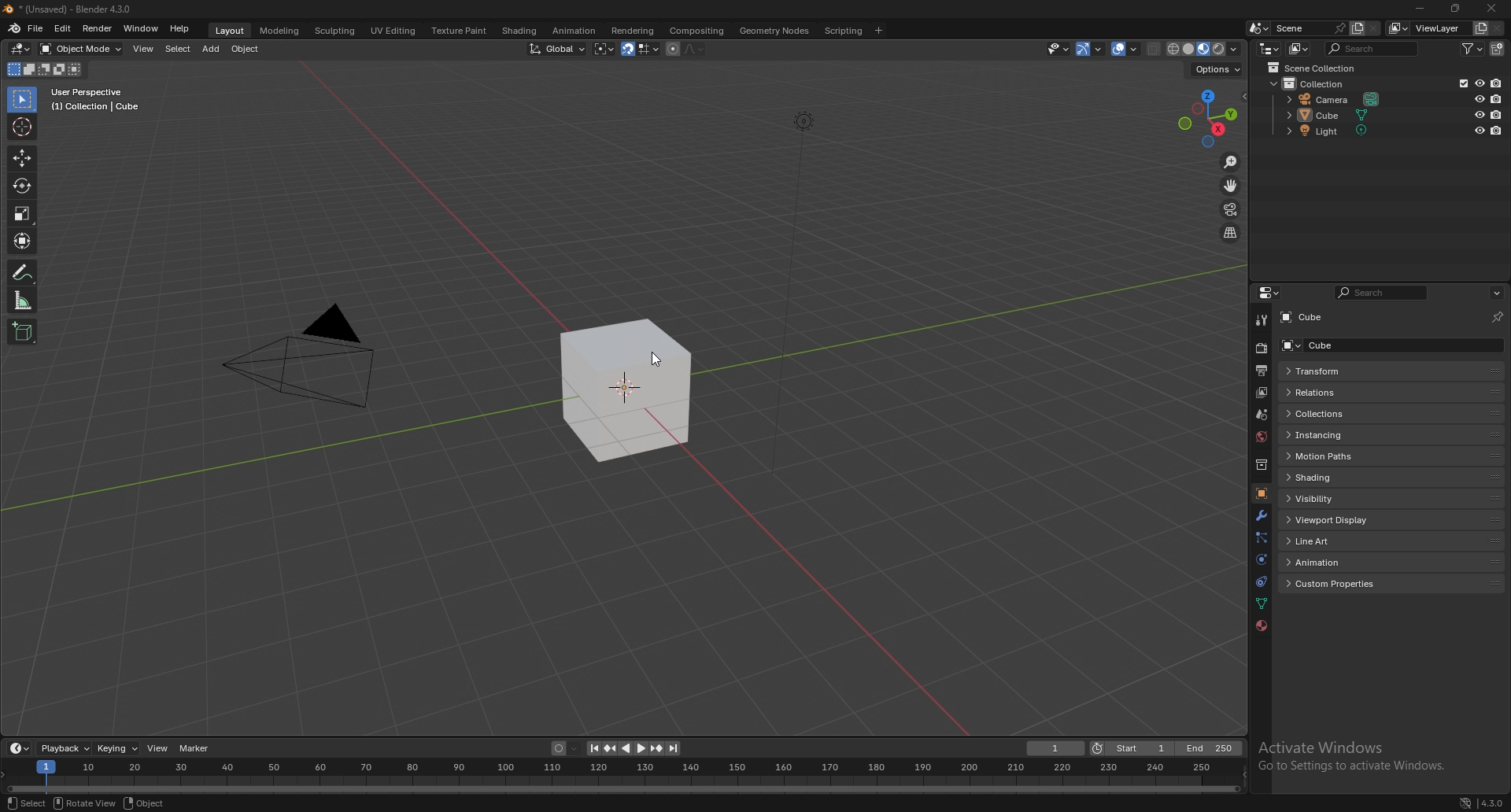 The width and height of the screenshot is (1511, 812). Describe the element at coordinates (27, 803) in the screenshot. I see `select` at that location.